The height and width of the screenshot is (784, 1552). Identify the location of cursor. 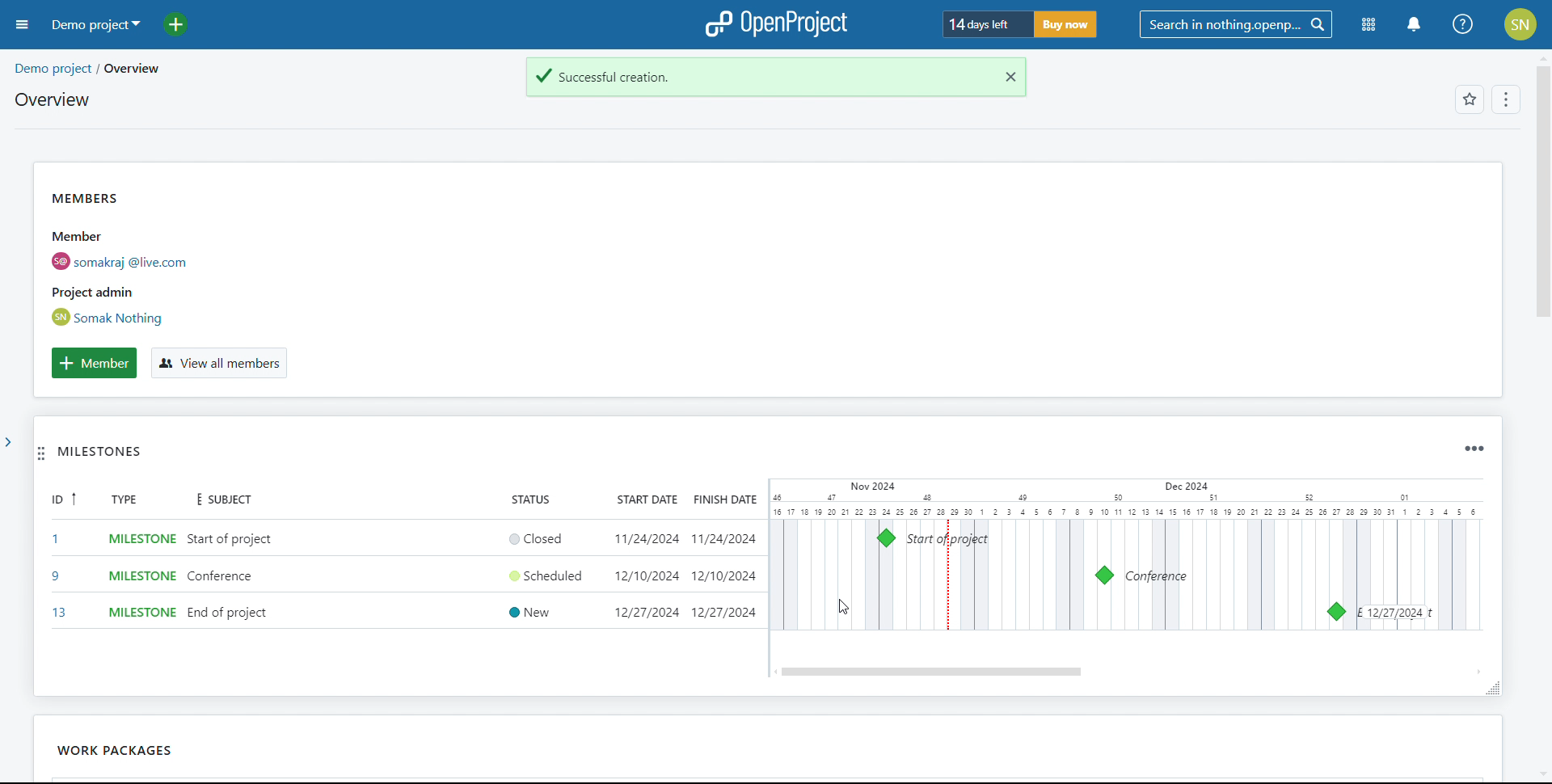
(848, 613).